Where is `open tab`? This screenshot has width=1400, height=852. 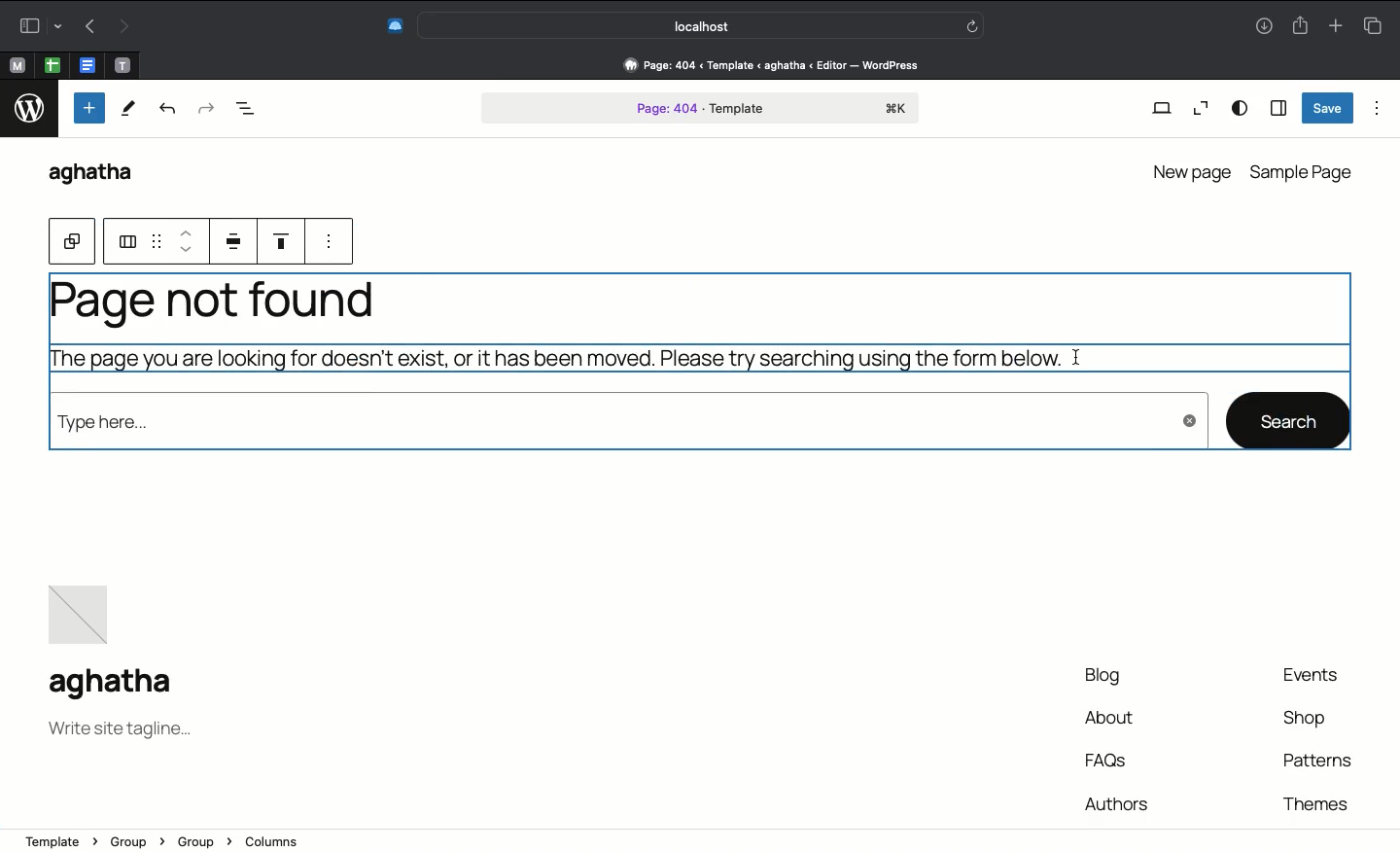 open tab is located at coordinates (17, 66).